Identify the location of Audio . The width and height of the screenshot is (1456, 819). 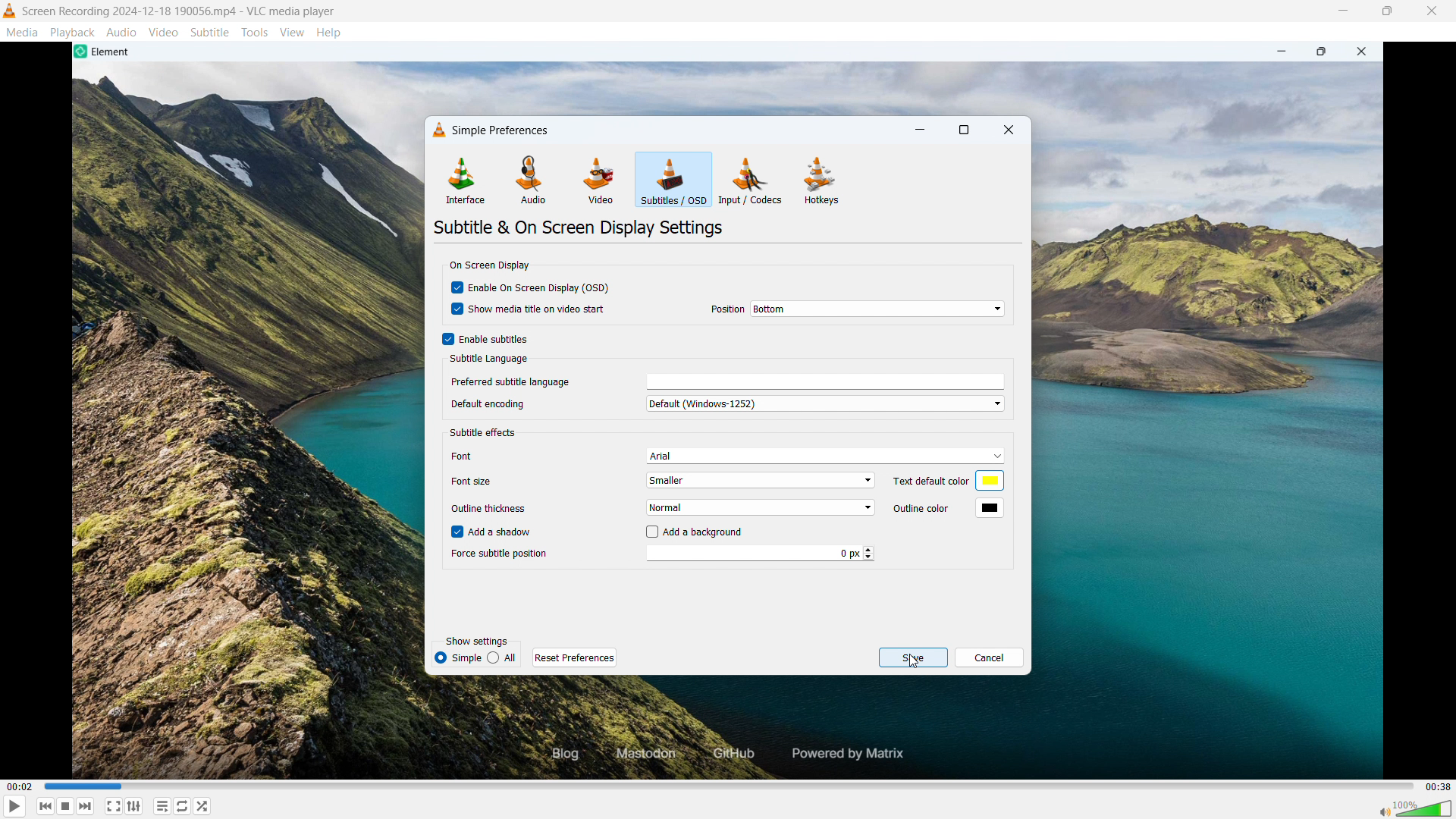
(533, 180).